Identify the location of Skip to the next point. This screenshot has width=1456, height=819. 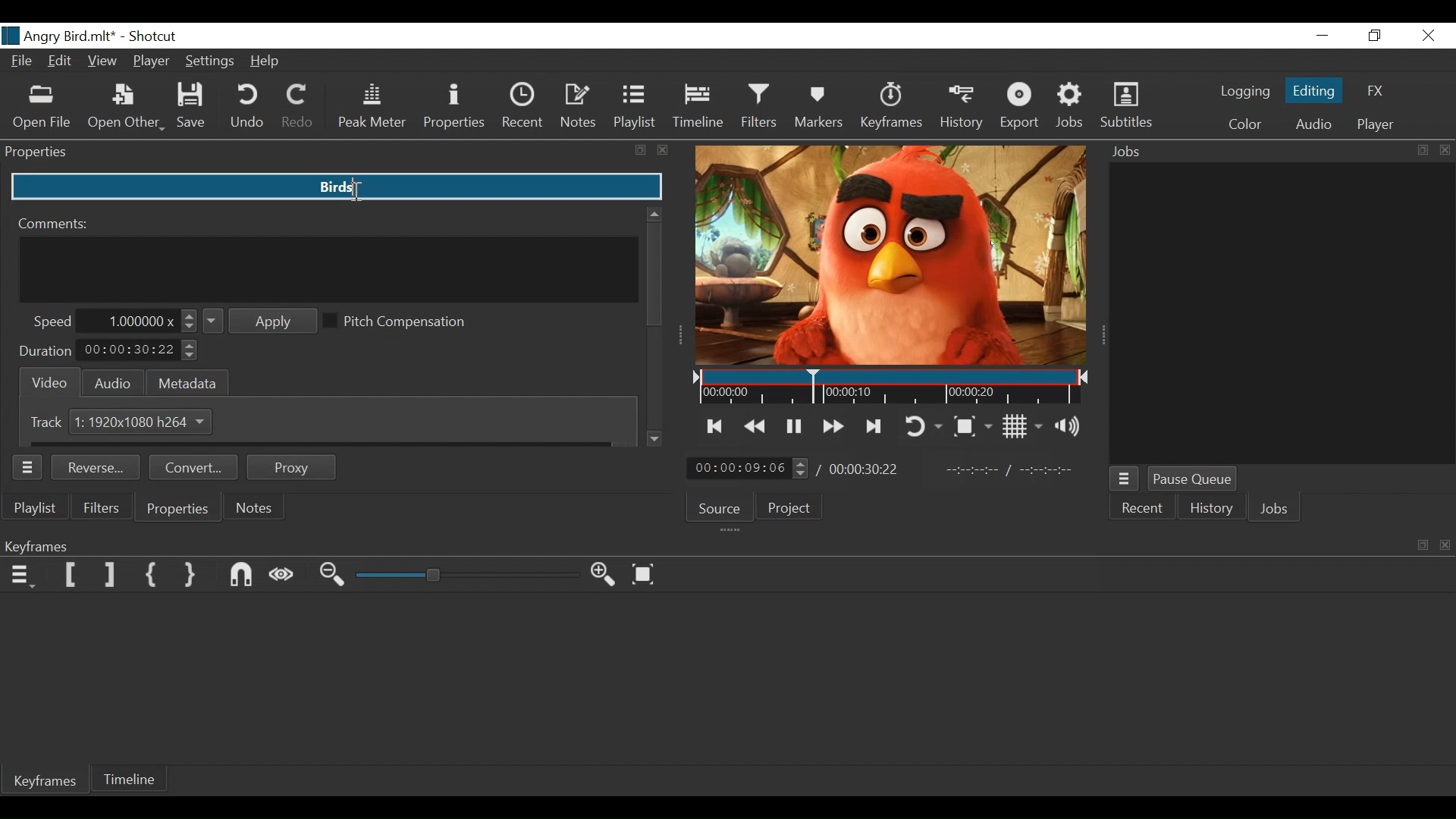
(876, 426).